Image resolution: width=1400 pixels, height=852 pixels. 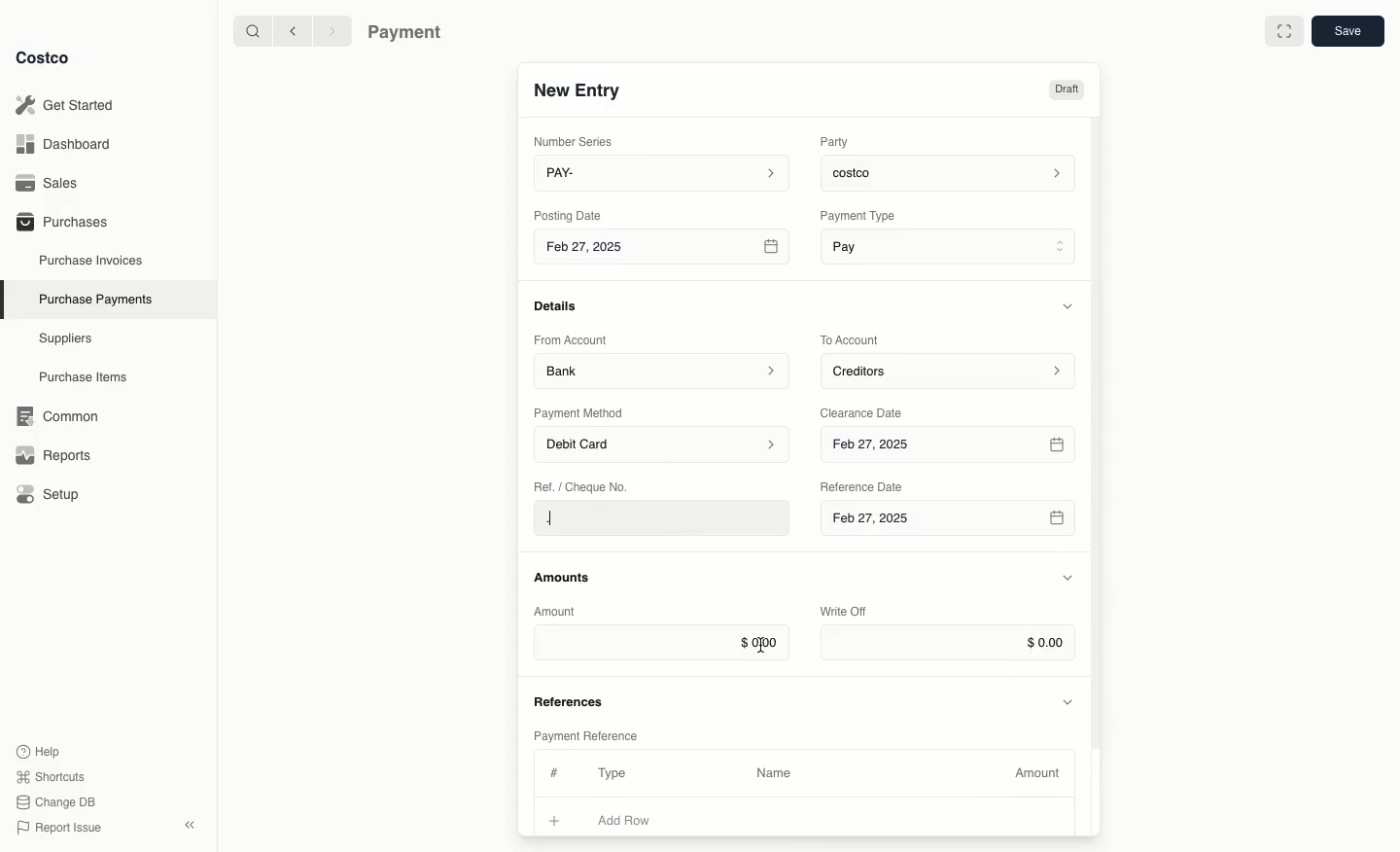 What do you see at coordinates (584, 733) in the screenshot?
I see `Payment Reference` at bounding box center [584, 733].